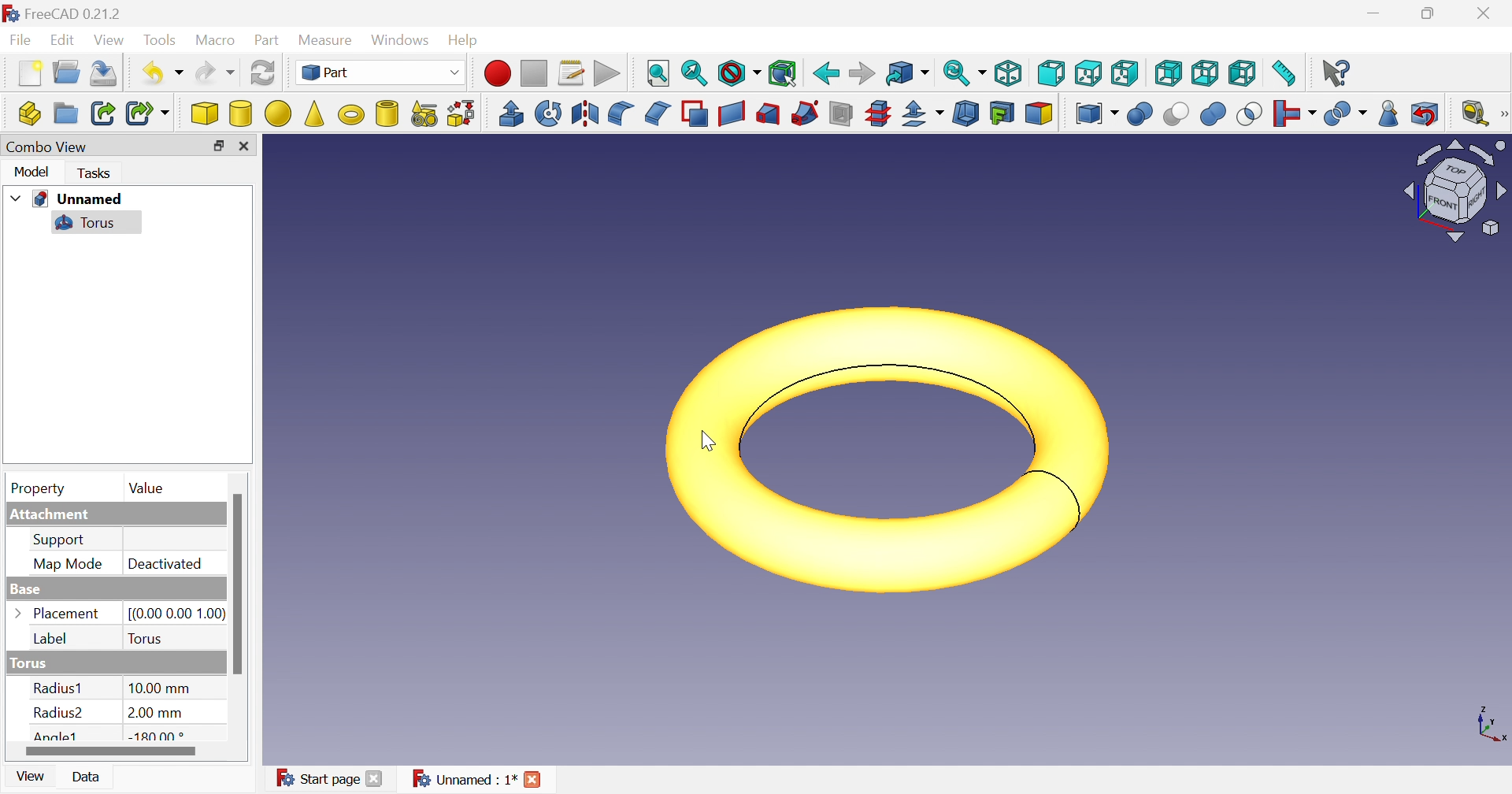 The image size is (1512, 794). What do you see at coordinates (535, 72) in the screenshot?
I see `Stop macro recording` at bounding box center [535, 72].